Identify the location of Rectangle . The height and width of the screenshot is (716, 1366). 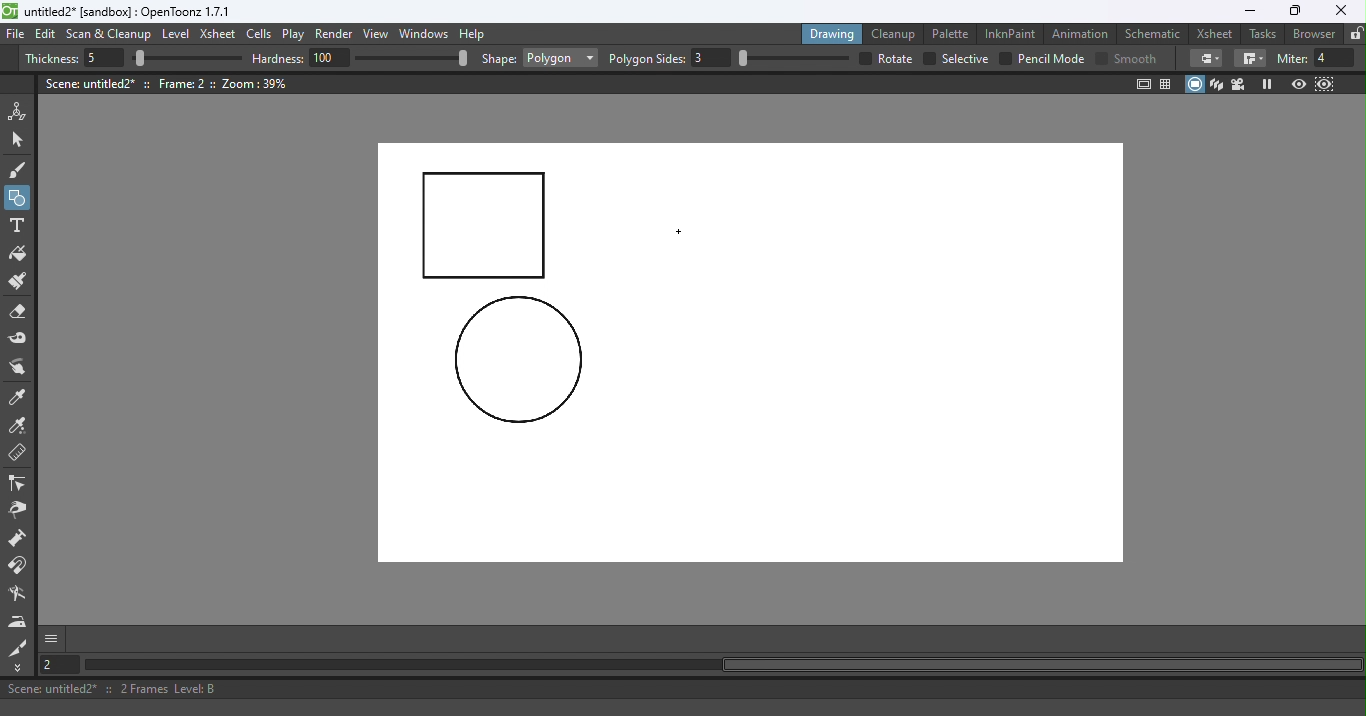
(560, 58).